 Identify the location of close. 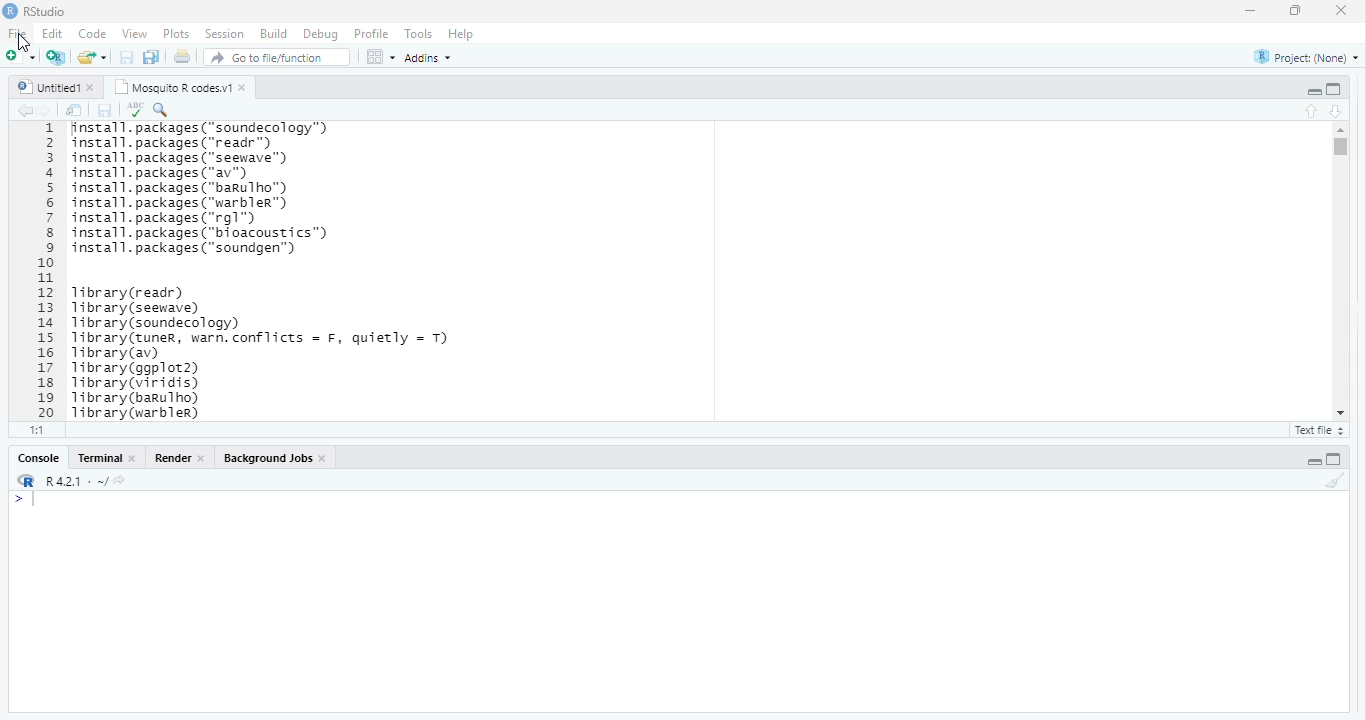
(202, 459).